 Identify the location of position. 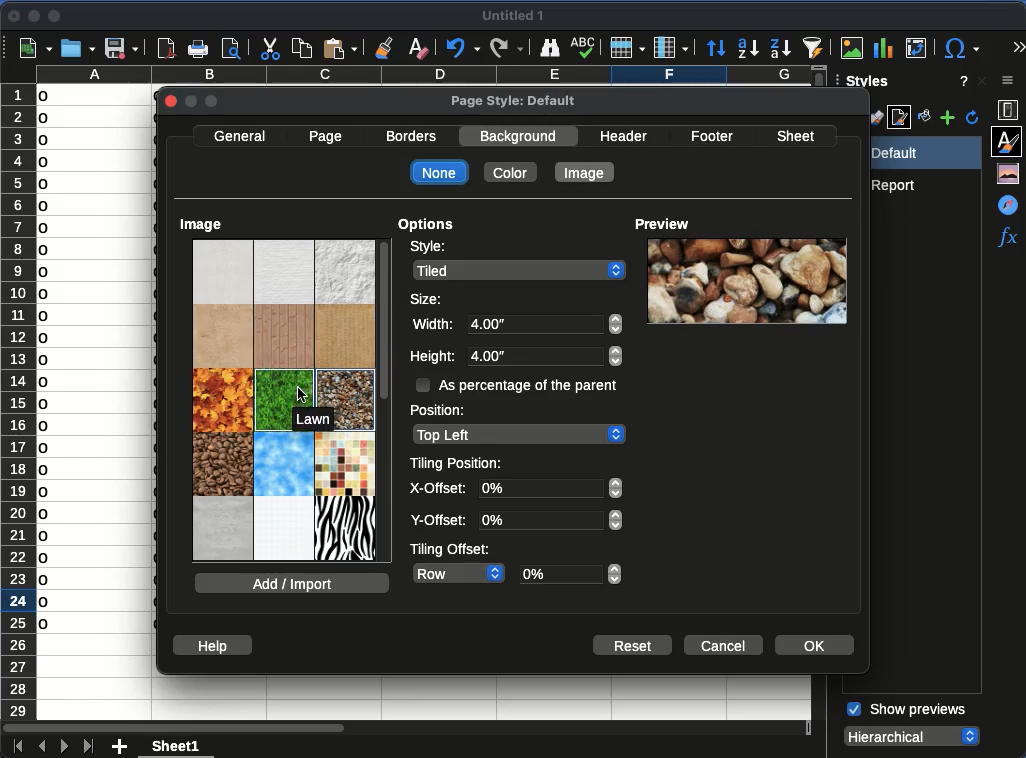
(442, 411).